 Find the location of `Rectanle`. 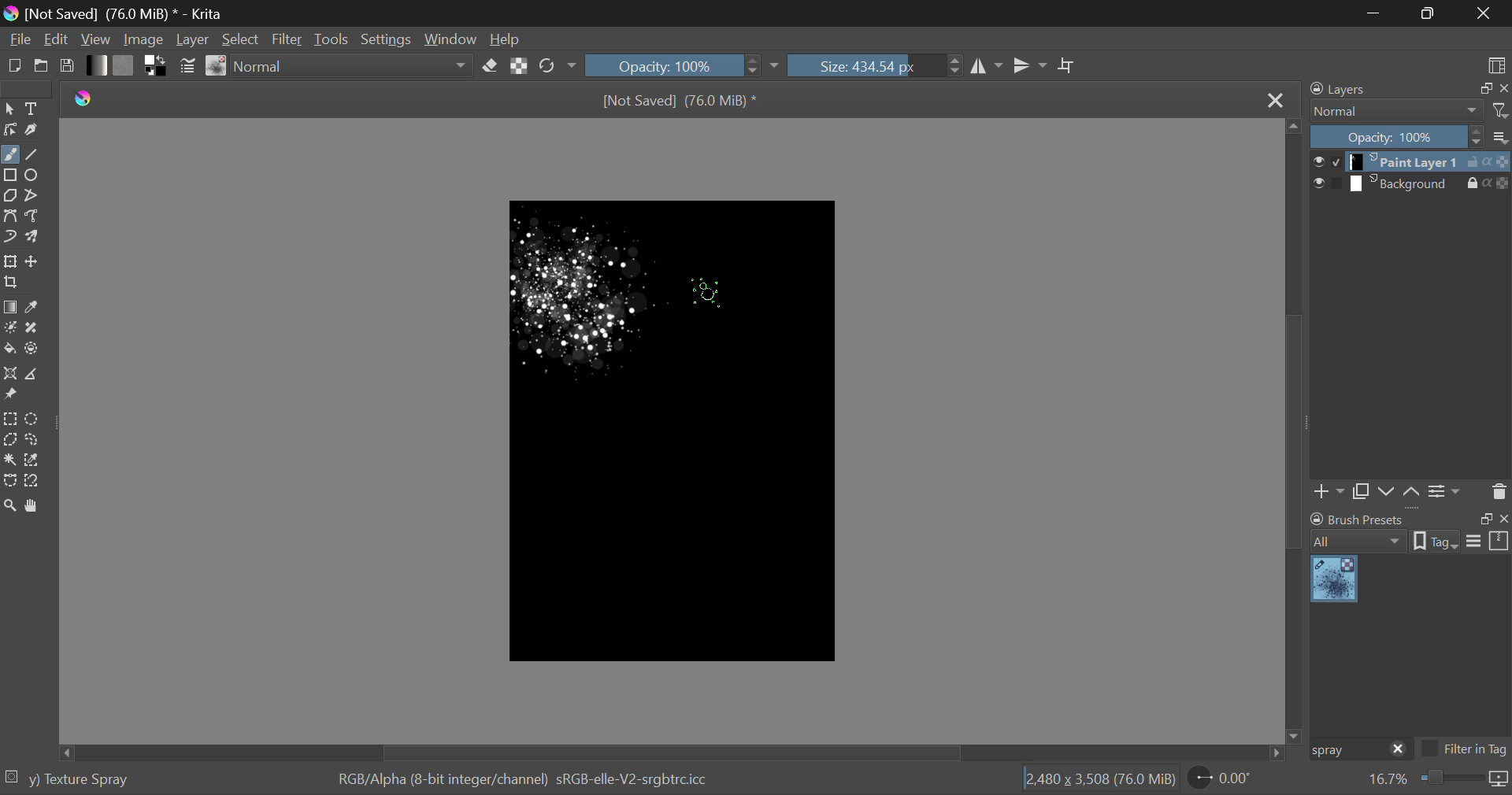

Rectanle is located at coordinates (10, 176).